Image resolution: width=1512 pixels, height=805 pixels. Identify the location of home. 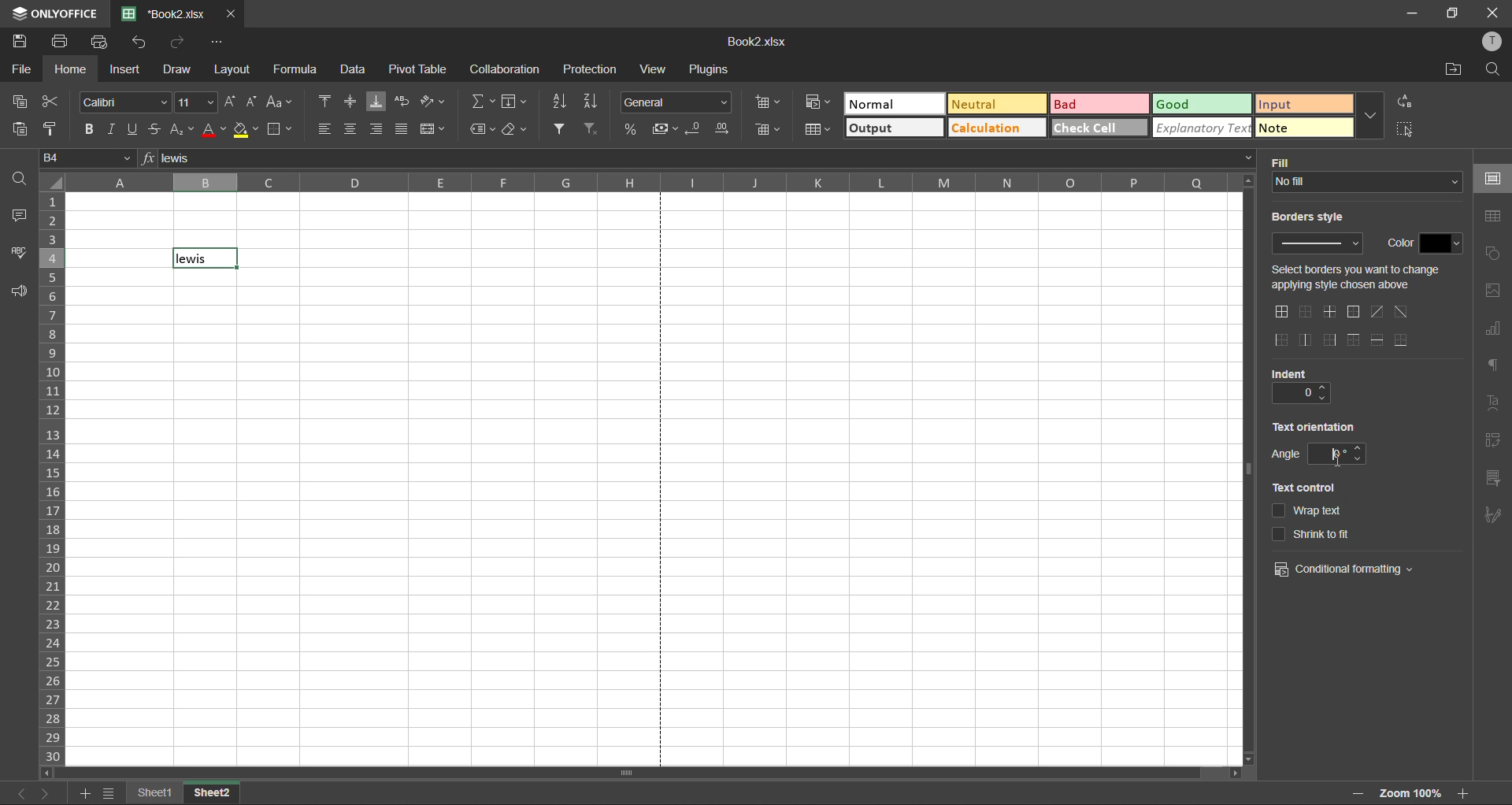
(70, 70).